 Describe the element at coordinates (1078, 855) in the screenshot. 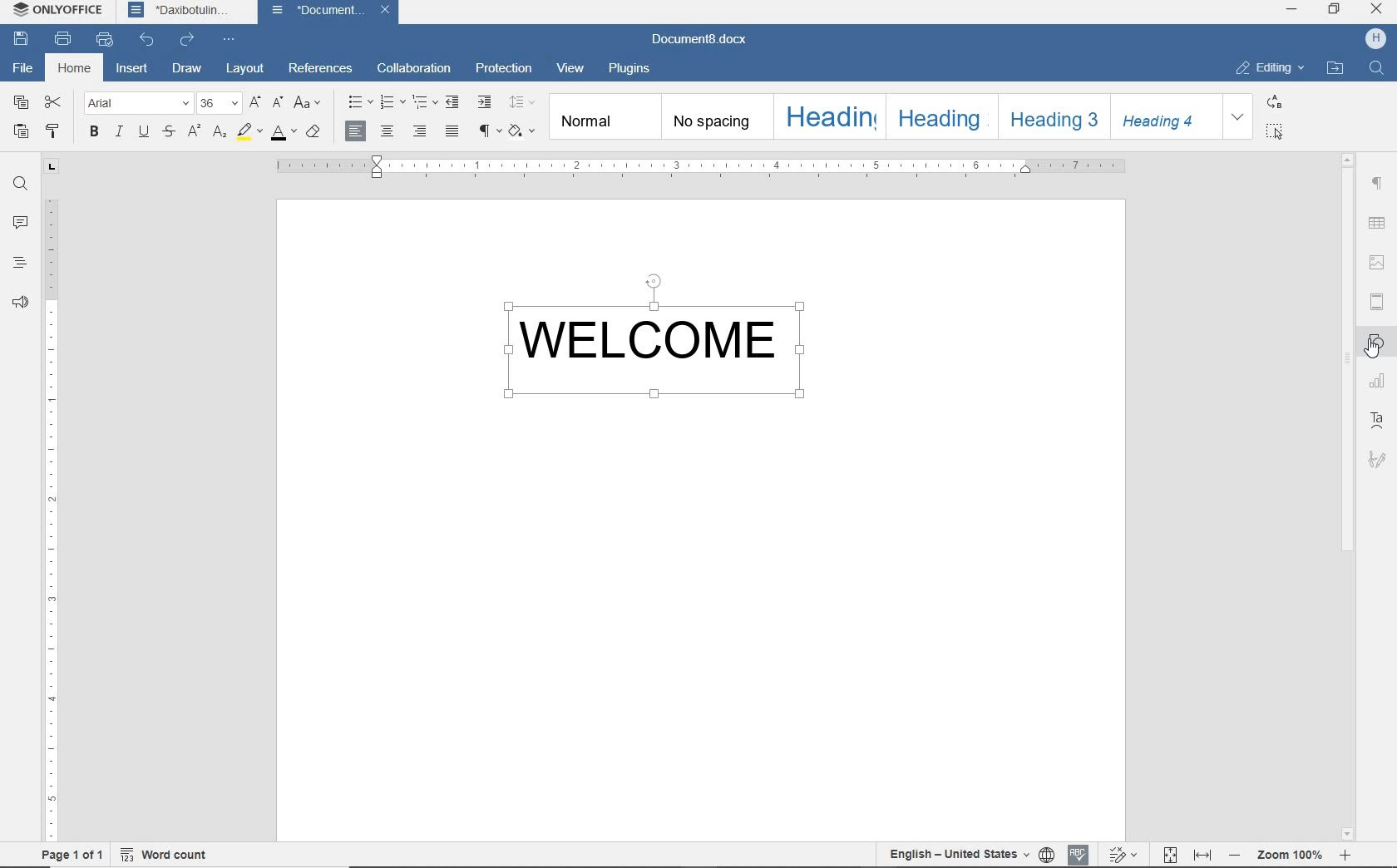

I see `SPELL CHECKING` at that location.